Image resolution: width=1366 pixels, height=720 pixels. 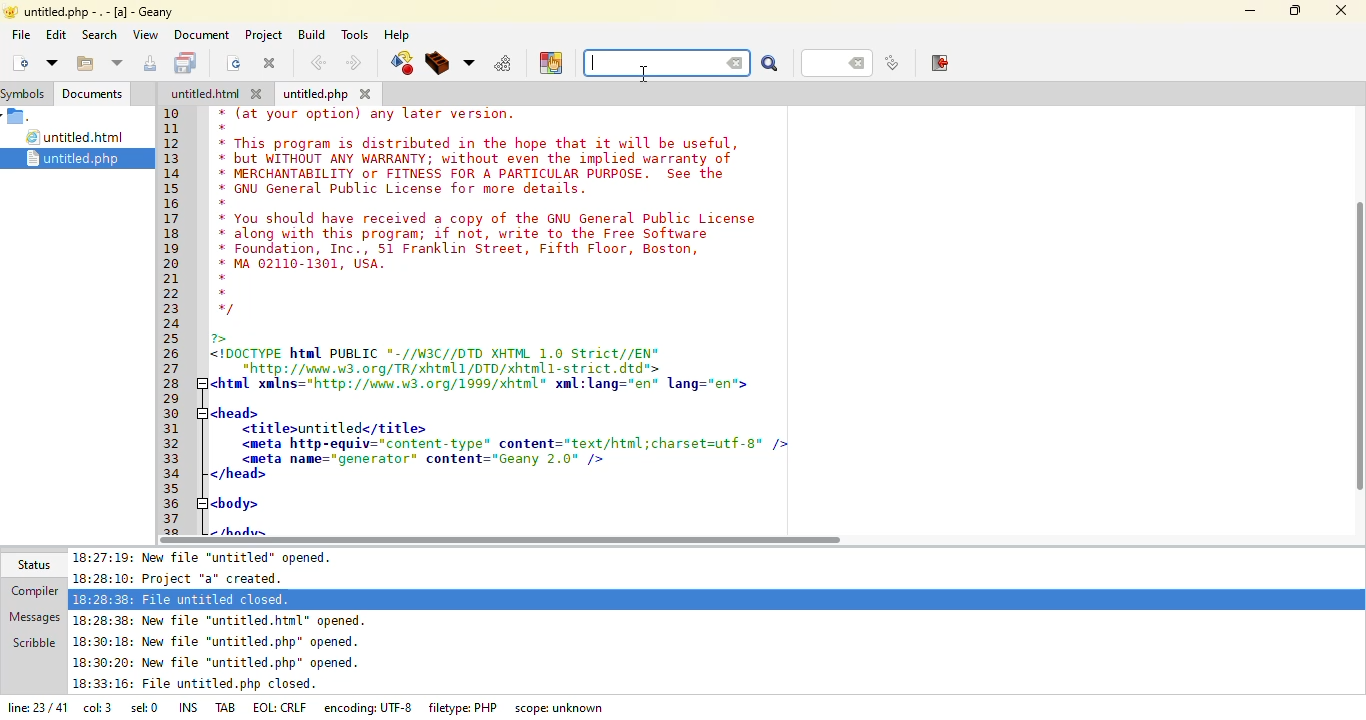 What do you see at coordinates (316, 95) in the screenshot?
I see `untitled.php` at bounding box center [316, 95].